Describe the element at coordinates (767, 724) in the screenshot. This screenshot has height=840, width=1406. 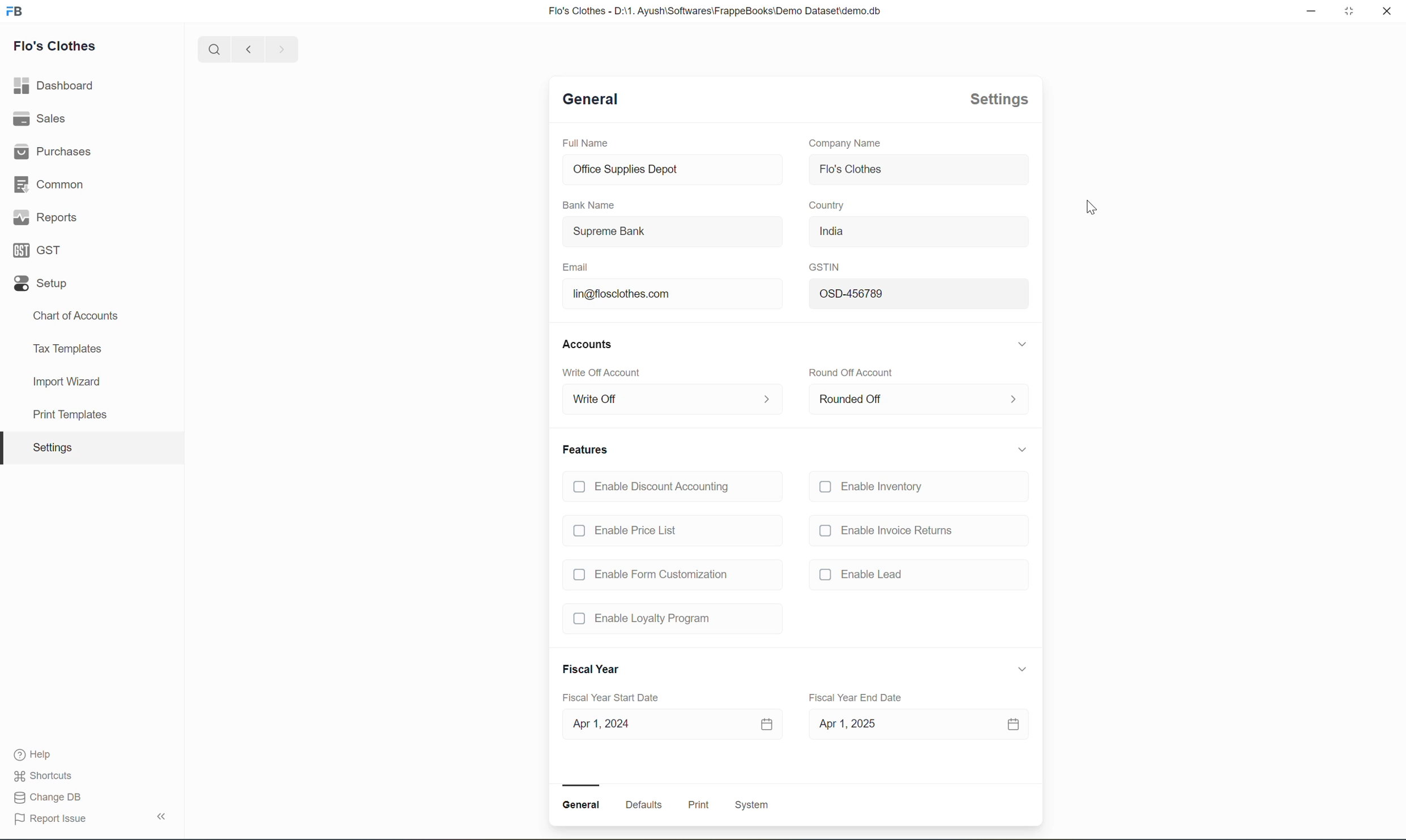
I see `calendar icon` at that location.